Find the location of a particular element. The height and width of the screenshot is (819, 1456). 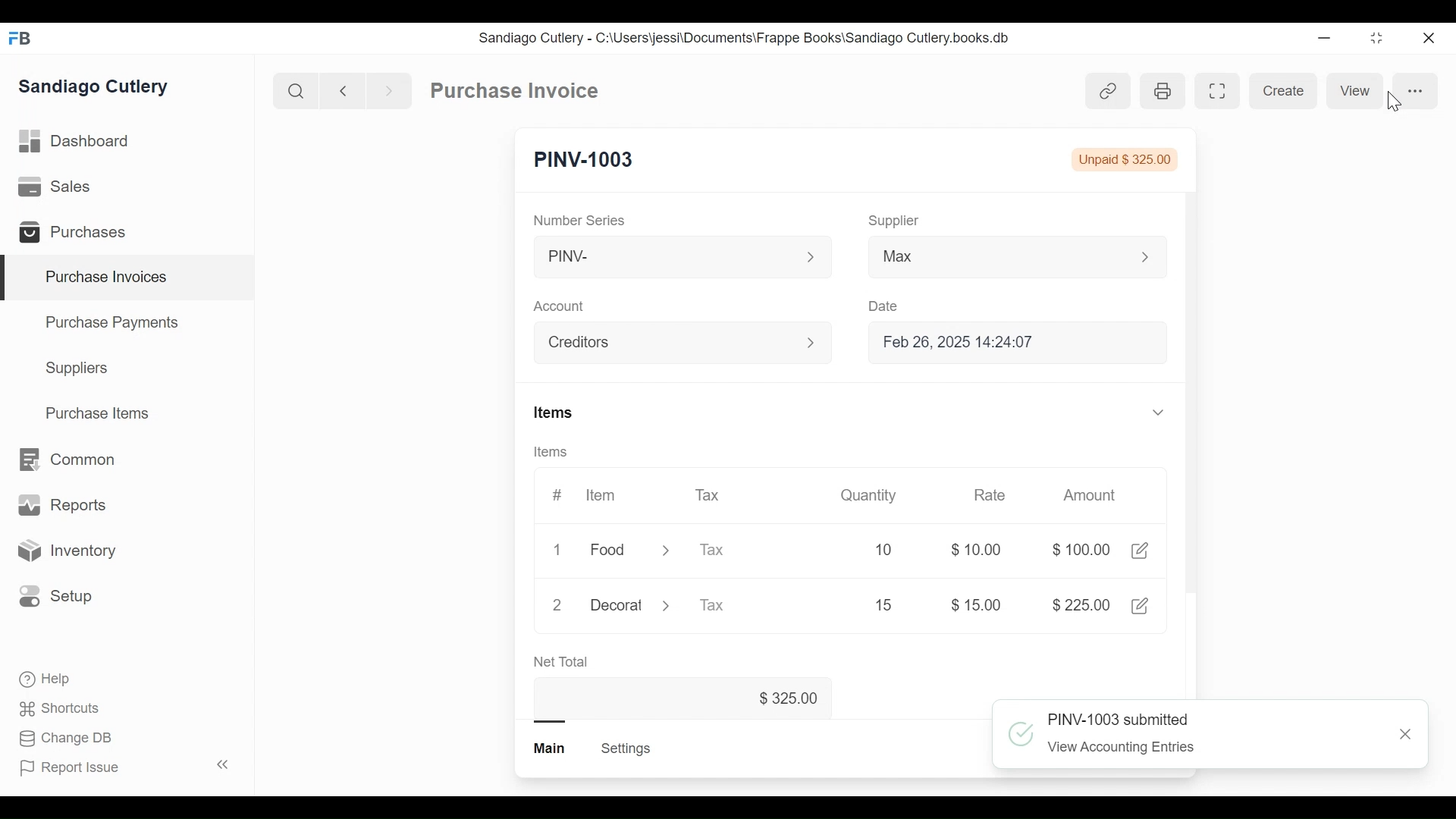

Edit is located at coordinates (1140, 606).